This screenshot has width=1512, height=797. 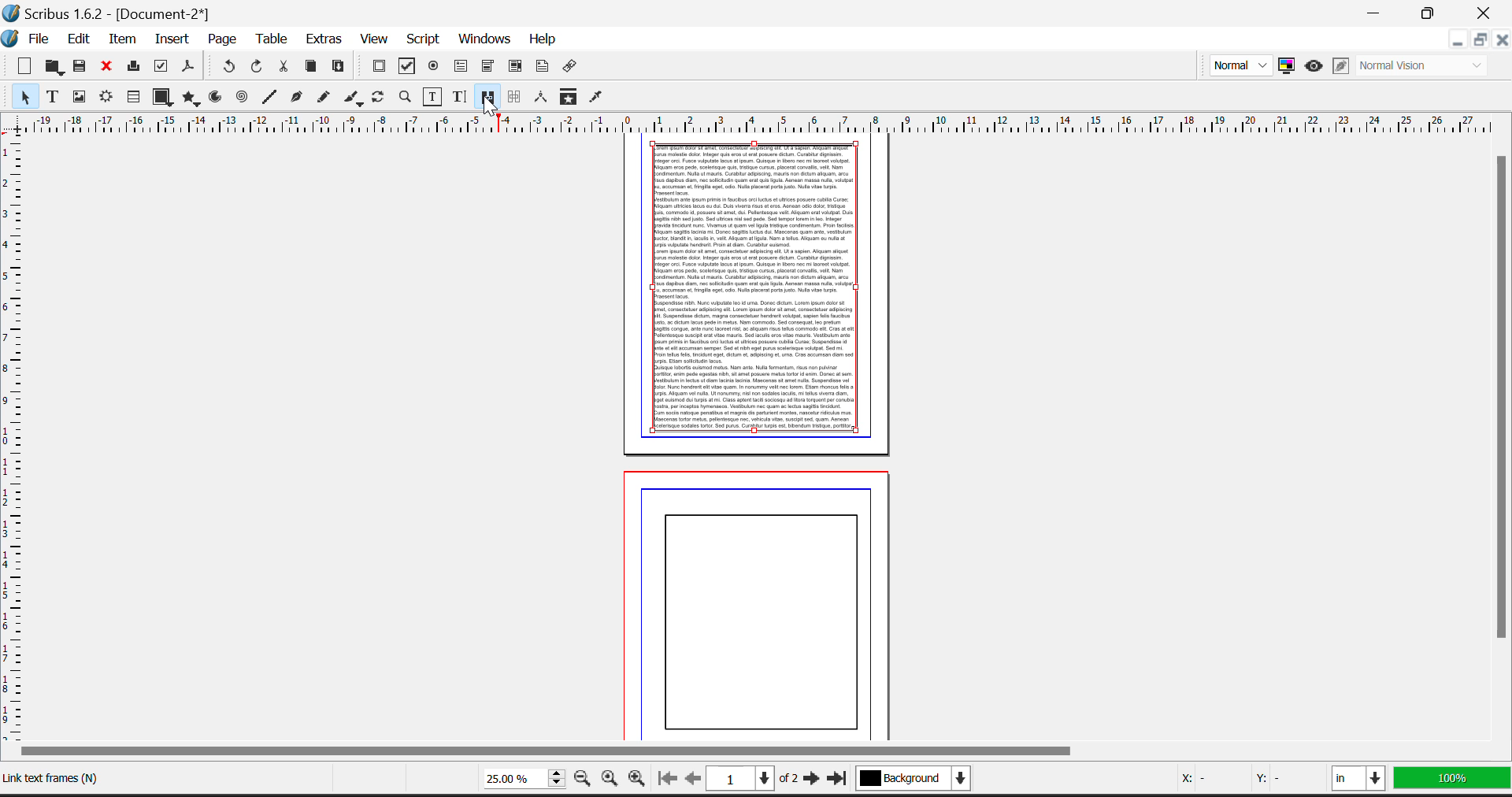 What do you see at coordinates (79, 39) in the screenshot?
I see `Edit` at bounding box center [79, 39].